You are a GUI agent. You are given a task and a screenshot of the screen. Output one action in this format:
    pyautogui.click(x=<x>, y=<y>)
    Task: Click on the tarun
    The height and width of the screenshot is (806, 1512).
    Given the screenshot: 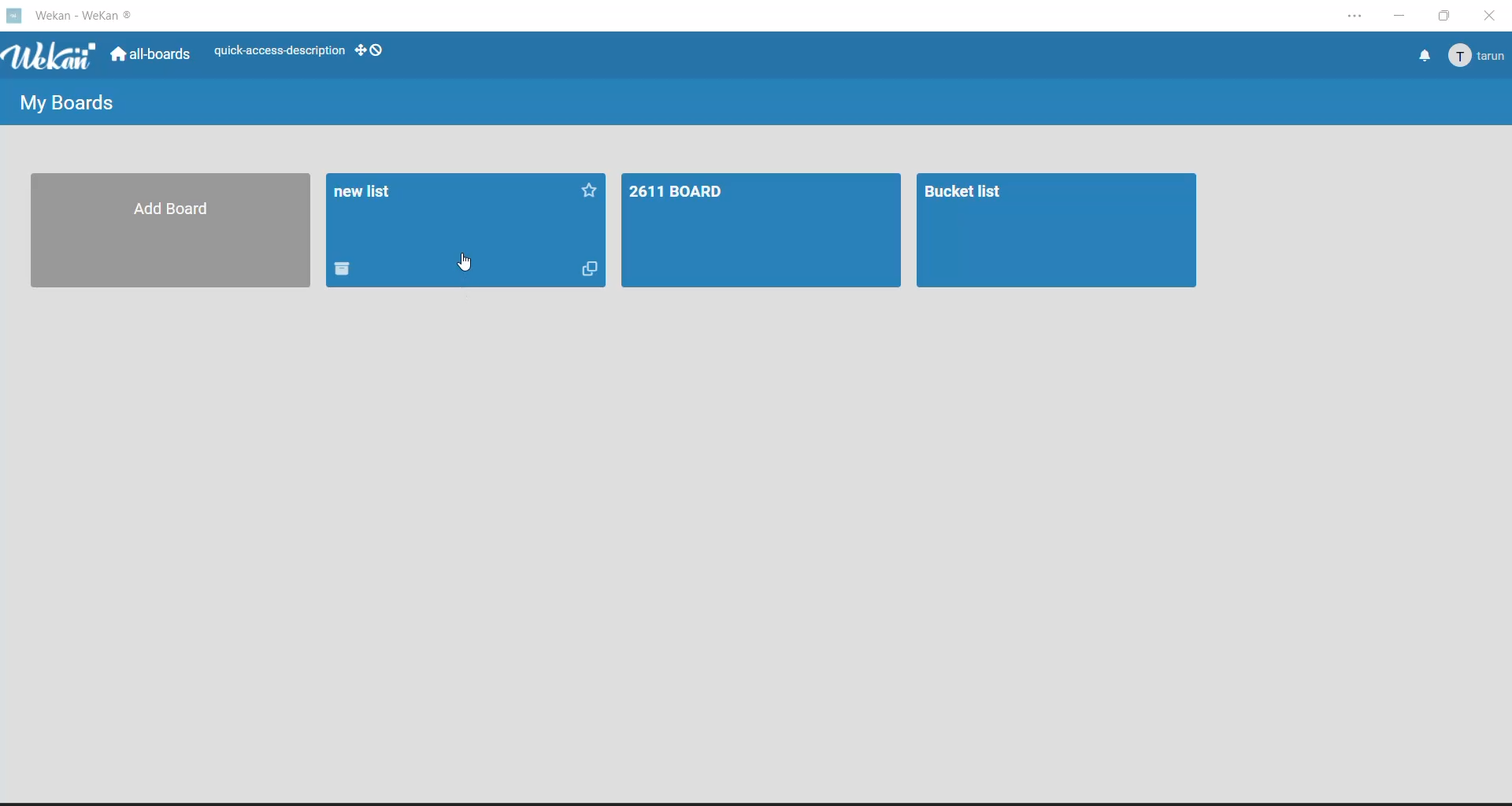 What is the action you would take?
    pyautogui.click(x=1476, y=56)
    